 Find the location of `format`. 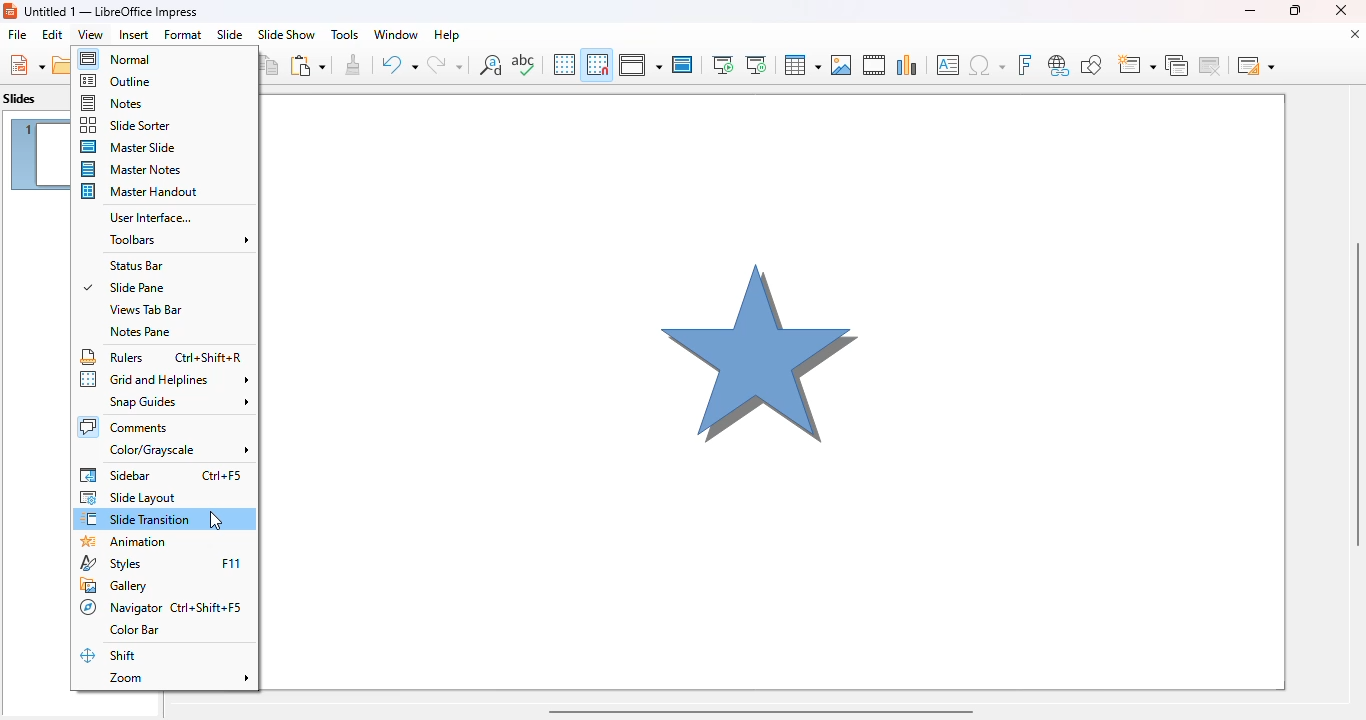

format is located at coordinates (183, 34).